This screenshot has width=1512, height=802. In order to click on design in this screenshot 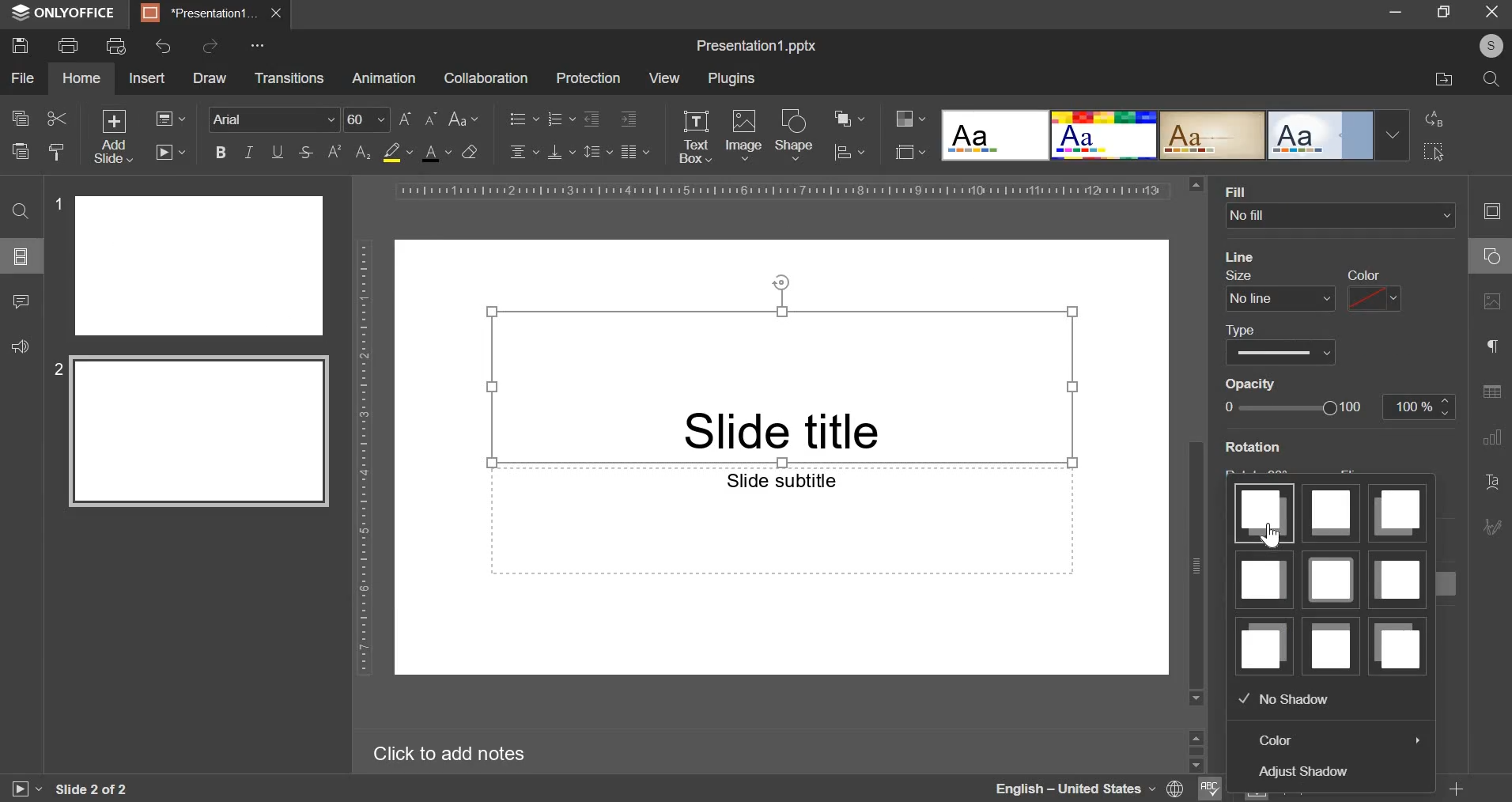, I will do `click(1175, 134)`.